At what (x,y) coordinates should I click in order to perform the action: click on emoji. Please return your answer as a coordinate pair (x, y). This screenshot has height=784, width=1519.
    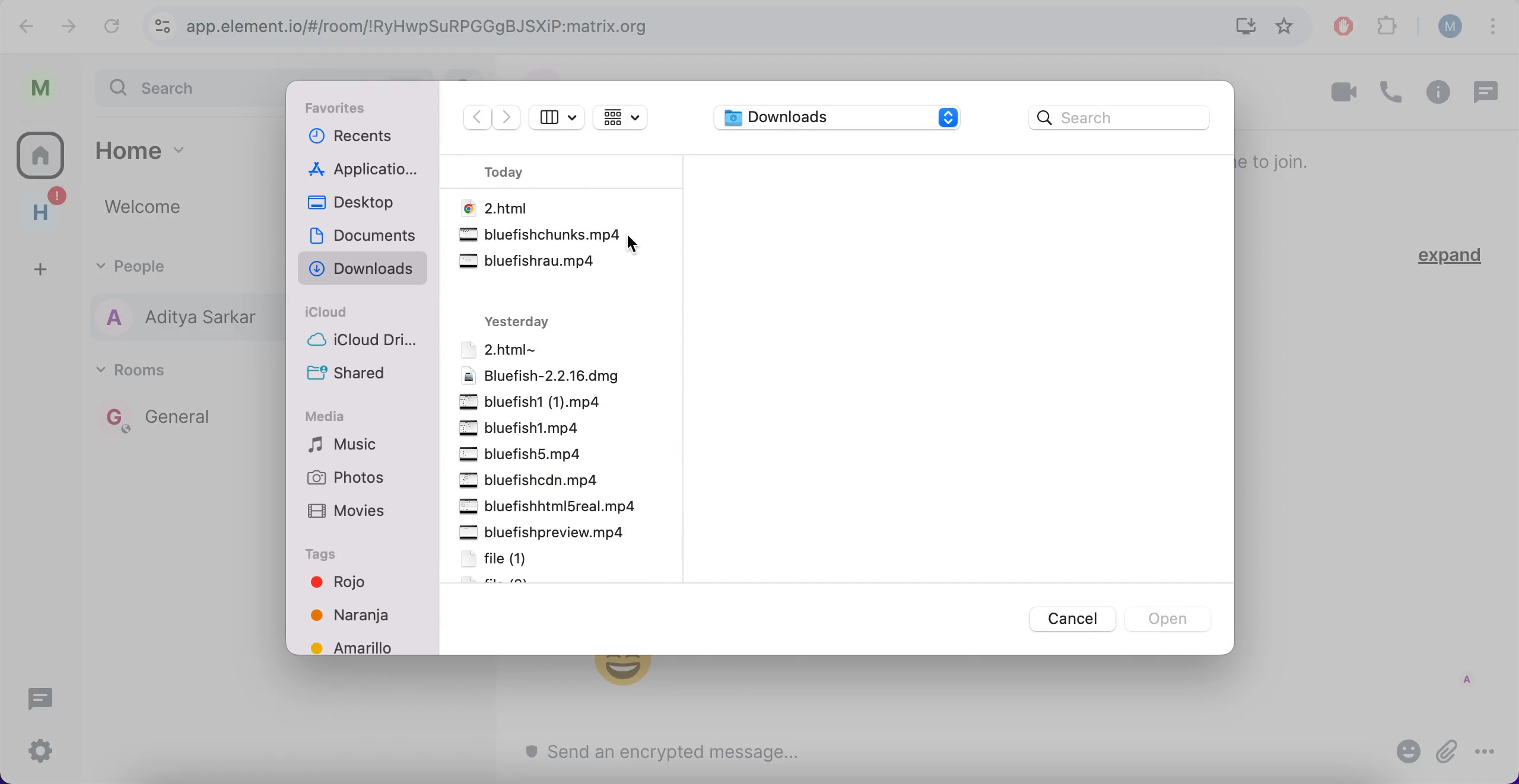
    Looking at the image, I should click on (1405, 750).